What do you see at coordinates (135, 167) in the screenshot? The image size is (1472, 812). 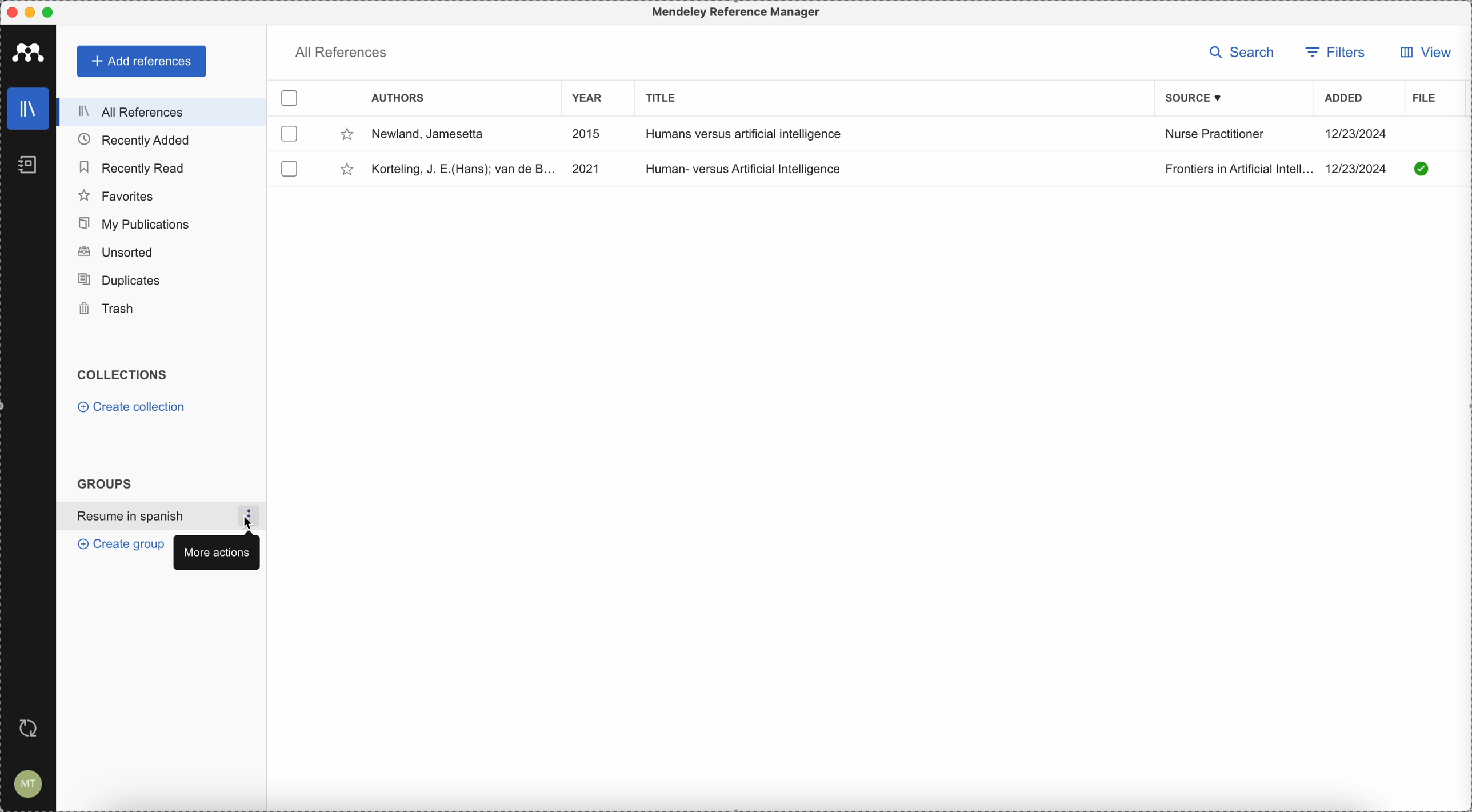 I see `recently read` at bounding box center [135, 167].